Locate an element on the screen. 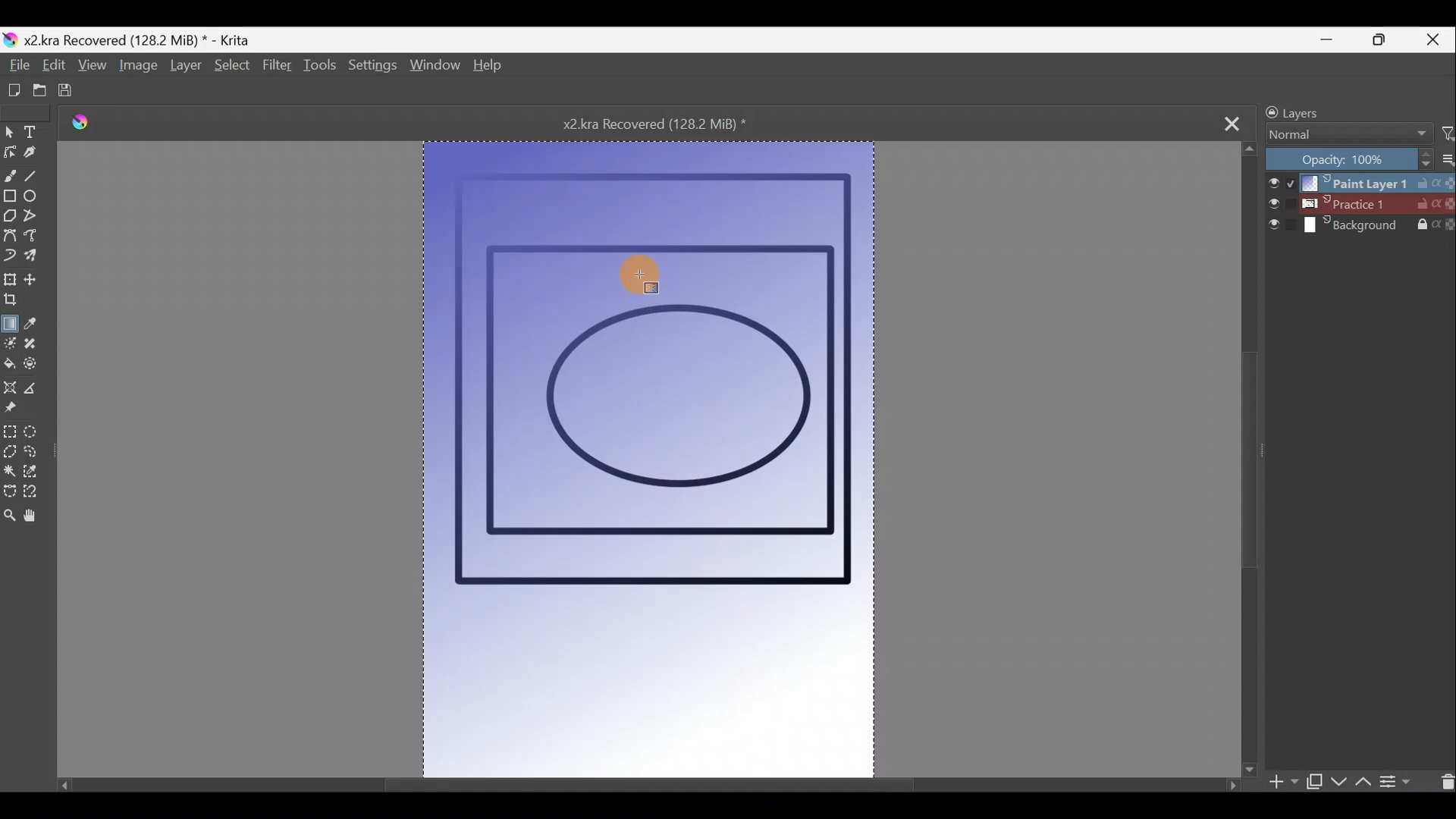  Rectangular selection tool is located at coordinates (9, 434).